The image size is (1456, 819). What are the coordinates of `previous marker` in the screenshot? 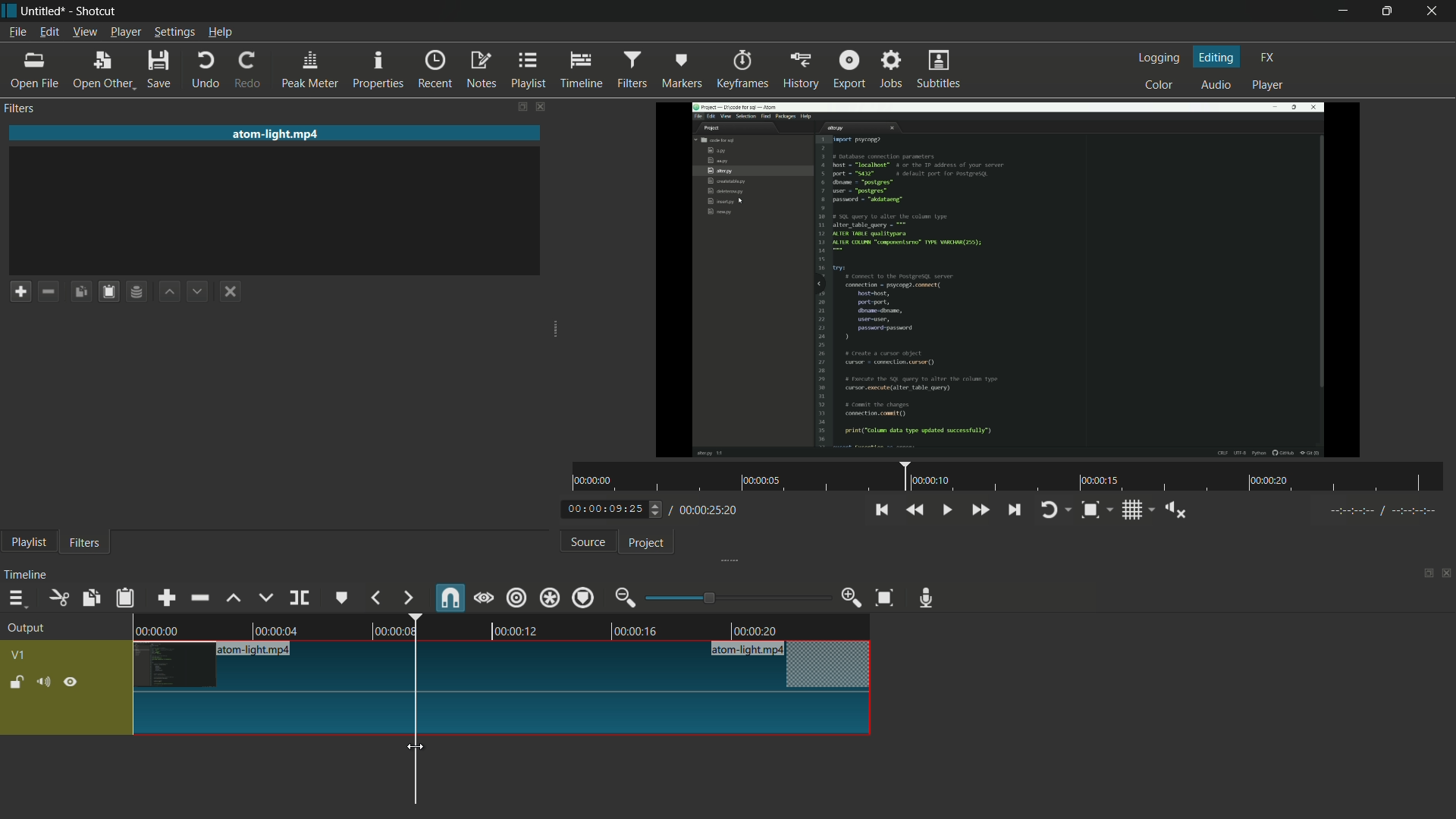 It's located at (377, 598).